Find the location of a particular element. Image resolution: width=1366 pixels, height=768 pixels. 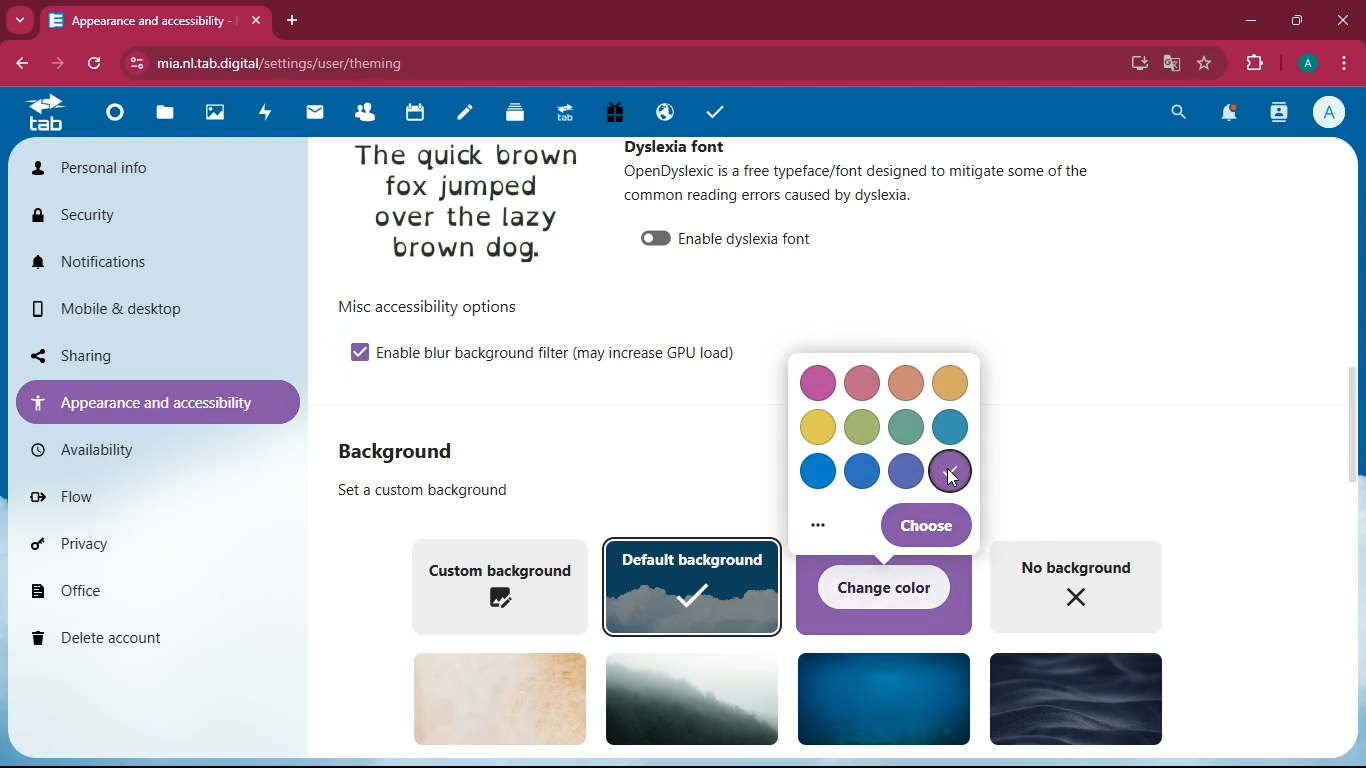

search is located at coordinates (1176, 115).